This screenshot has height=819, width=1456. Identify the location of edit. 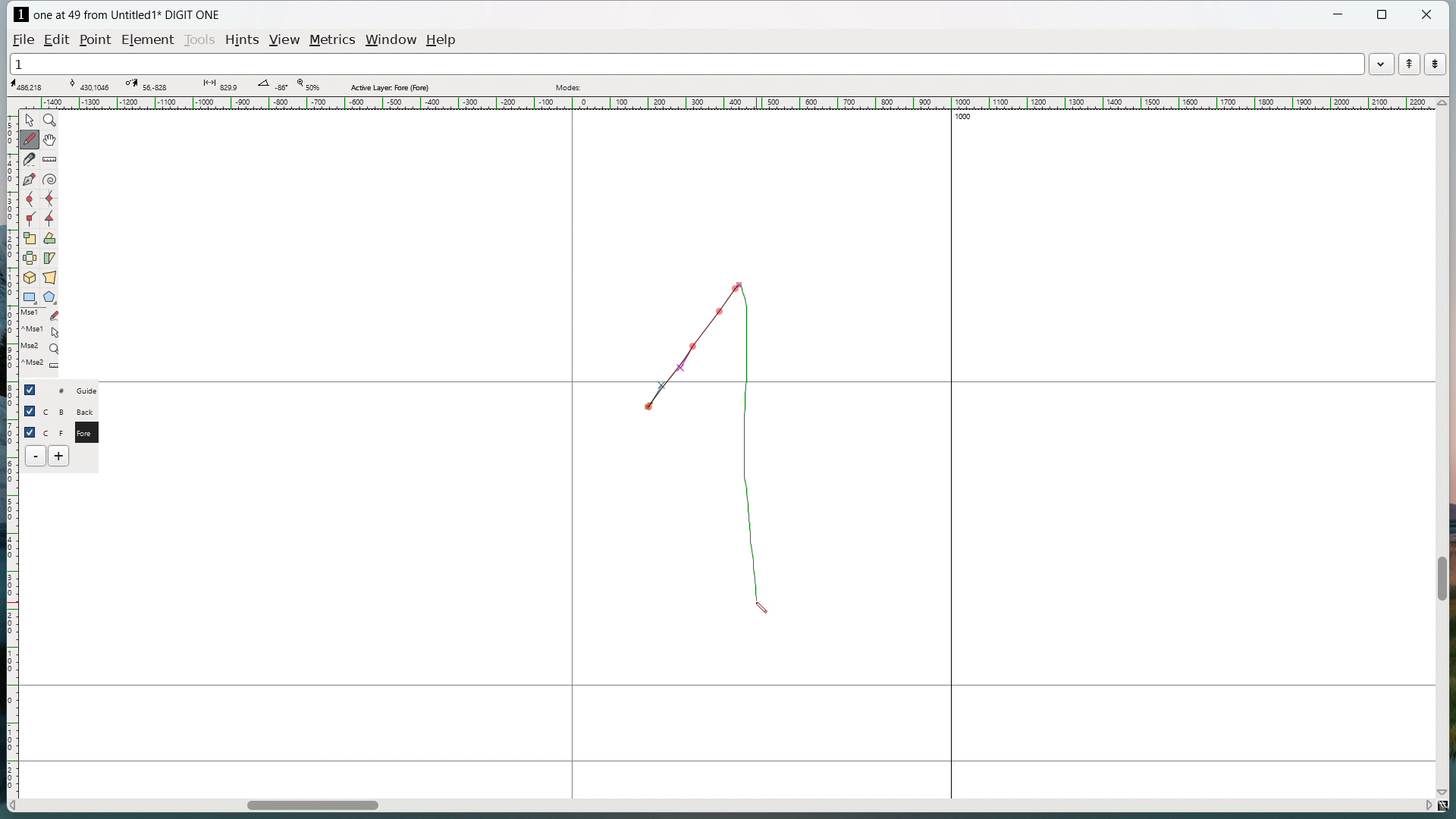
(59, 39).